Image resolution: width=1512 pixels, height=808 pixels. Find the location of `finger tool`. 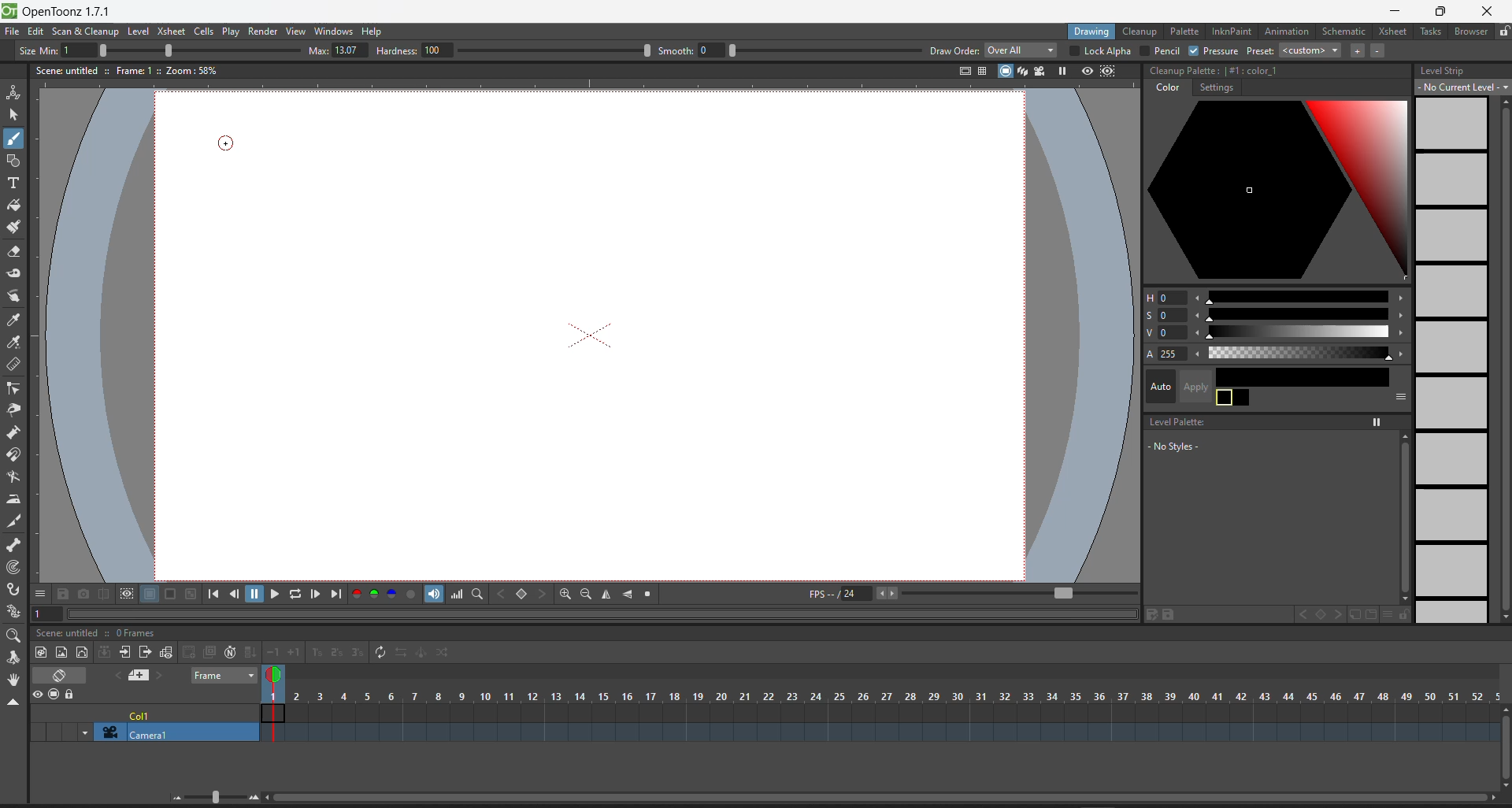

finger tool is located at coordinates (15, 297).